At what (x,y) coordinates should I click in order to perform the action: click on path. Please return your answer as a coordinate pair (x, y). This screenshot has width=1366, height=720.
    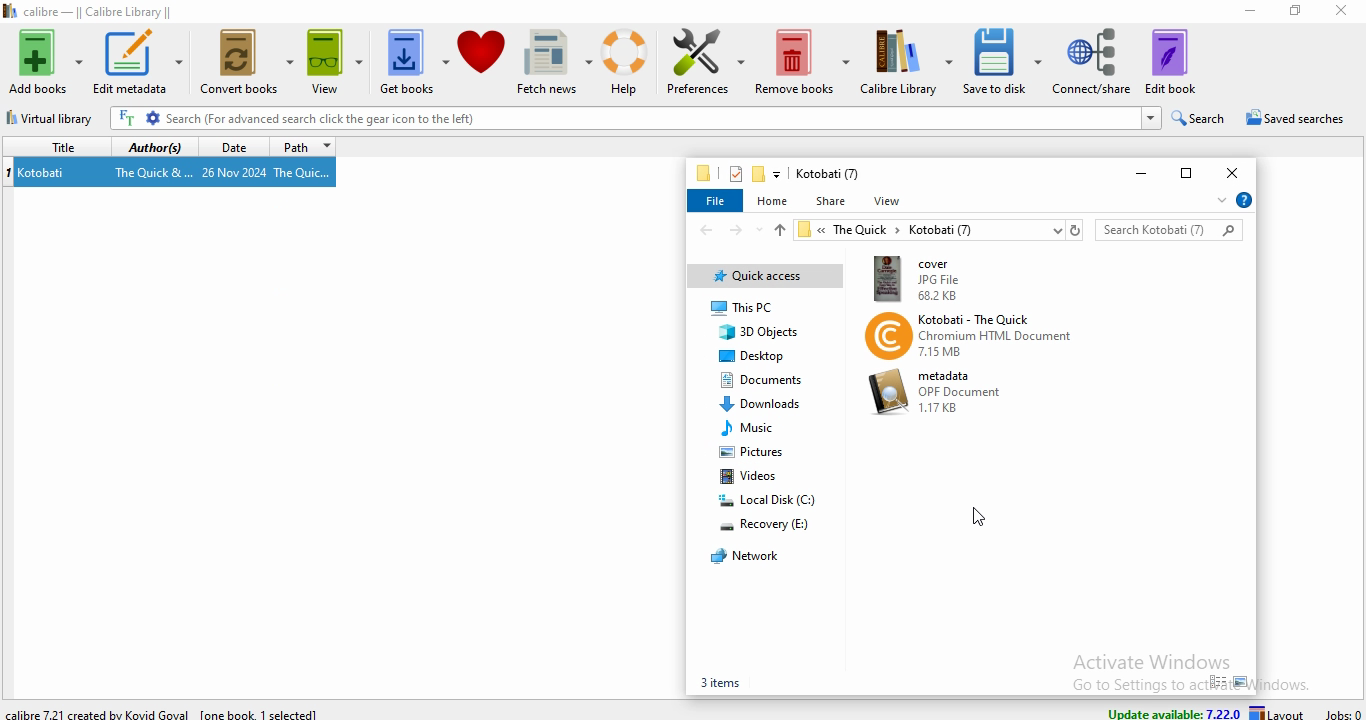
    Looking at the image, I should click on (303, 147).